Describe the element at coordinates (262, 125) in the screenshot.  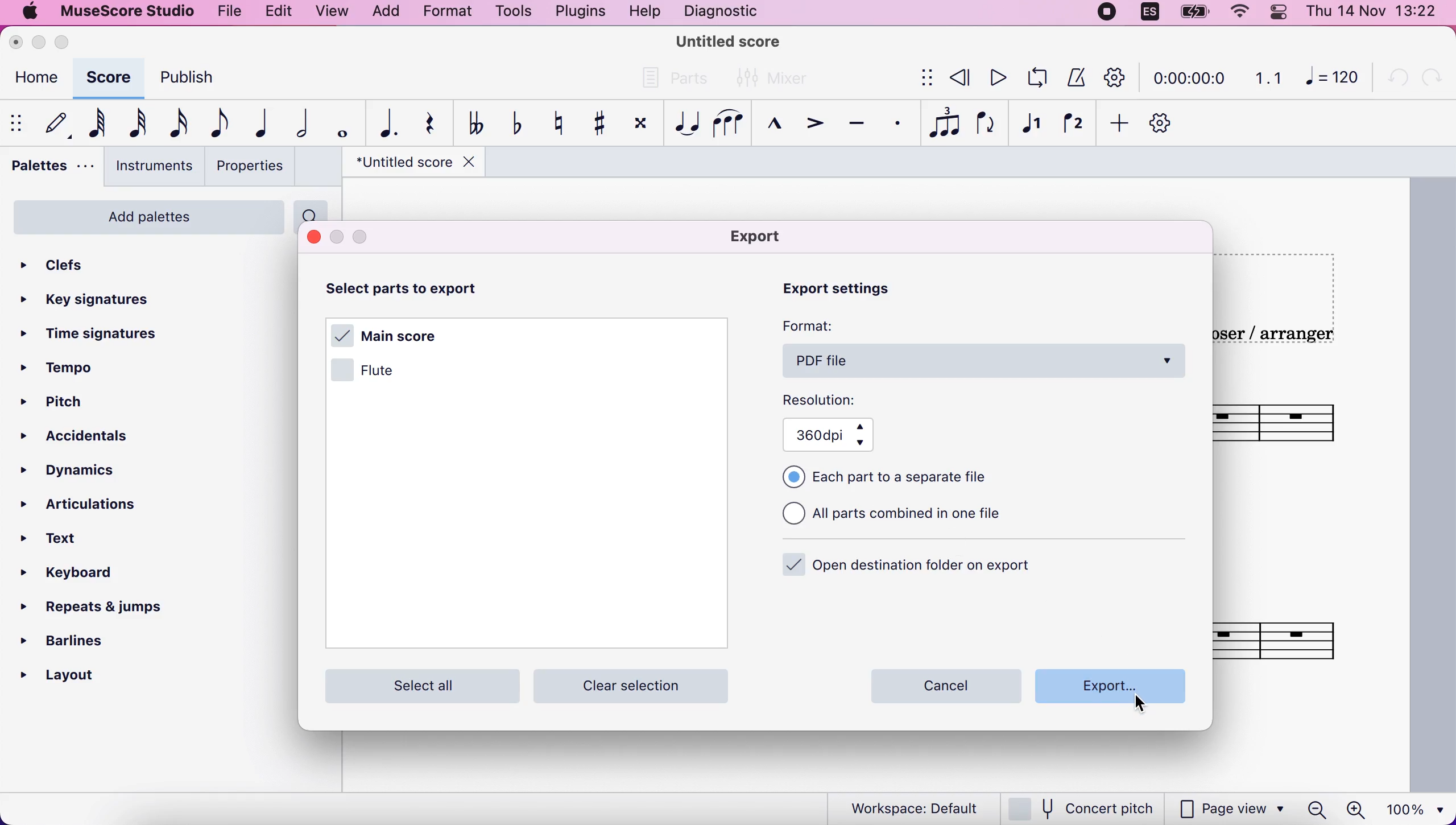
I see `quarter note` at that location.